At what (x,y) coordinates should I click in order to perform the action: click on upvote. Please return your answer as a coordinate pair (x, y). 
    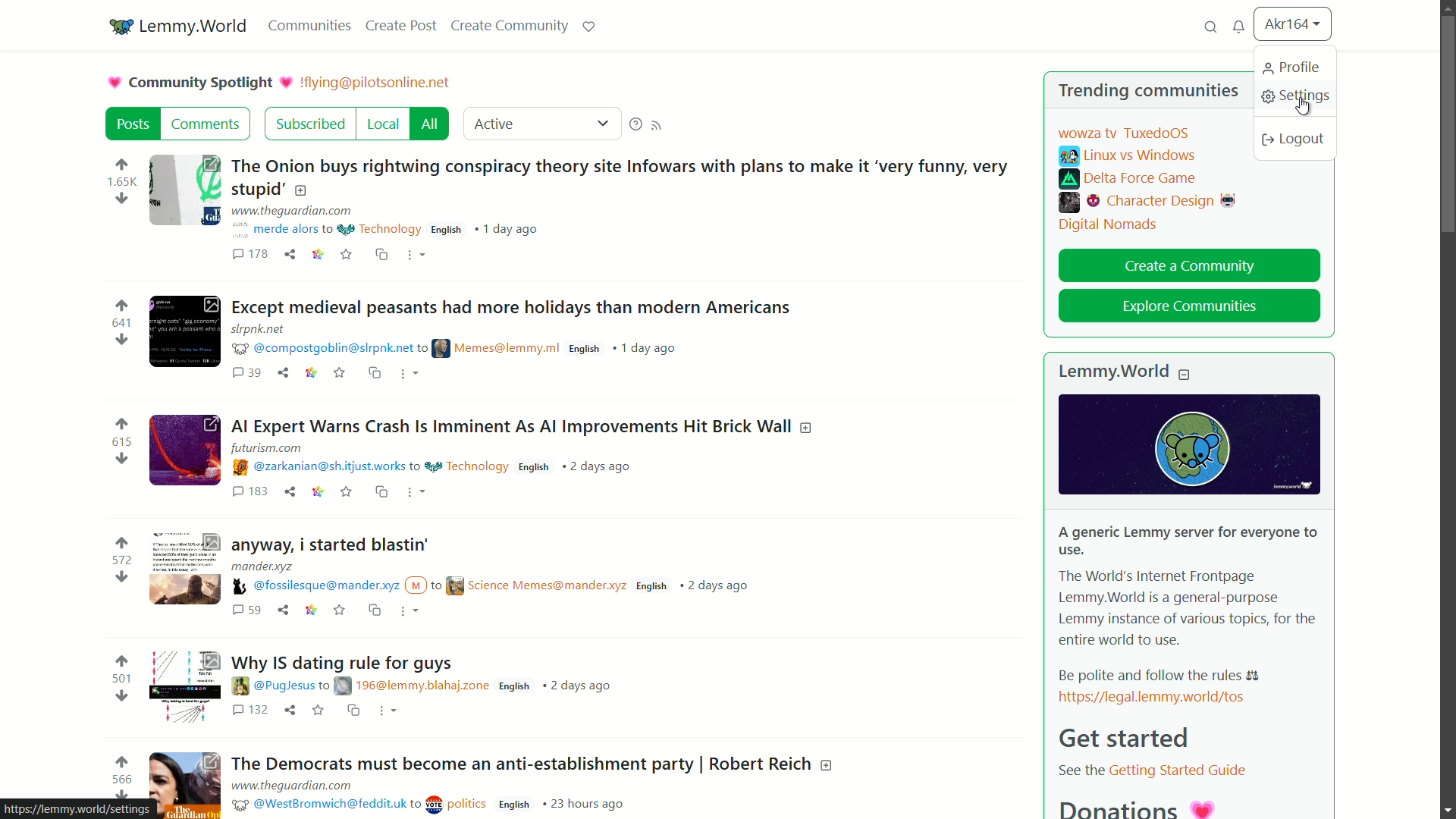
    Looking at the image, I should click on (124, 661).